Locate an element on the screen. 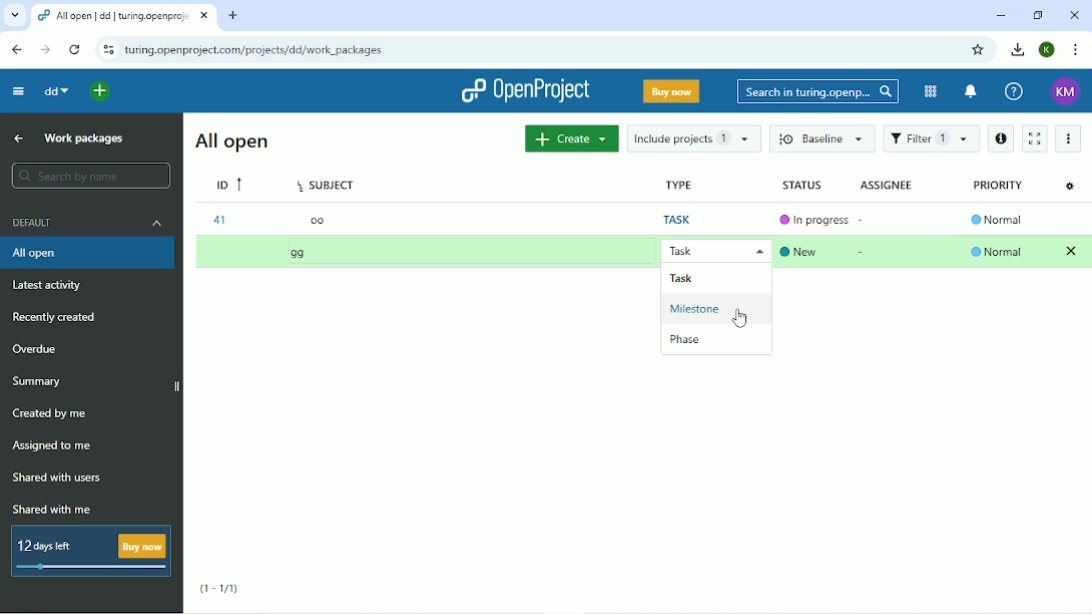  Activate zen mode is located at coordinates (1036, 139).